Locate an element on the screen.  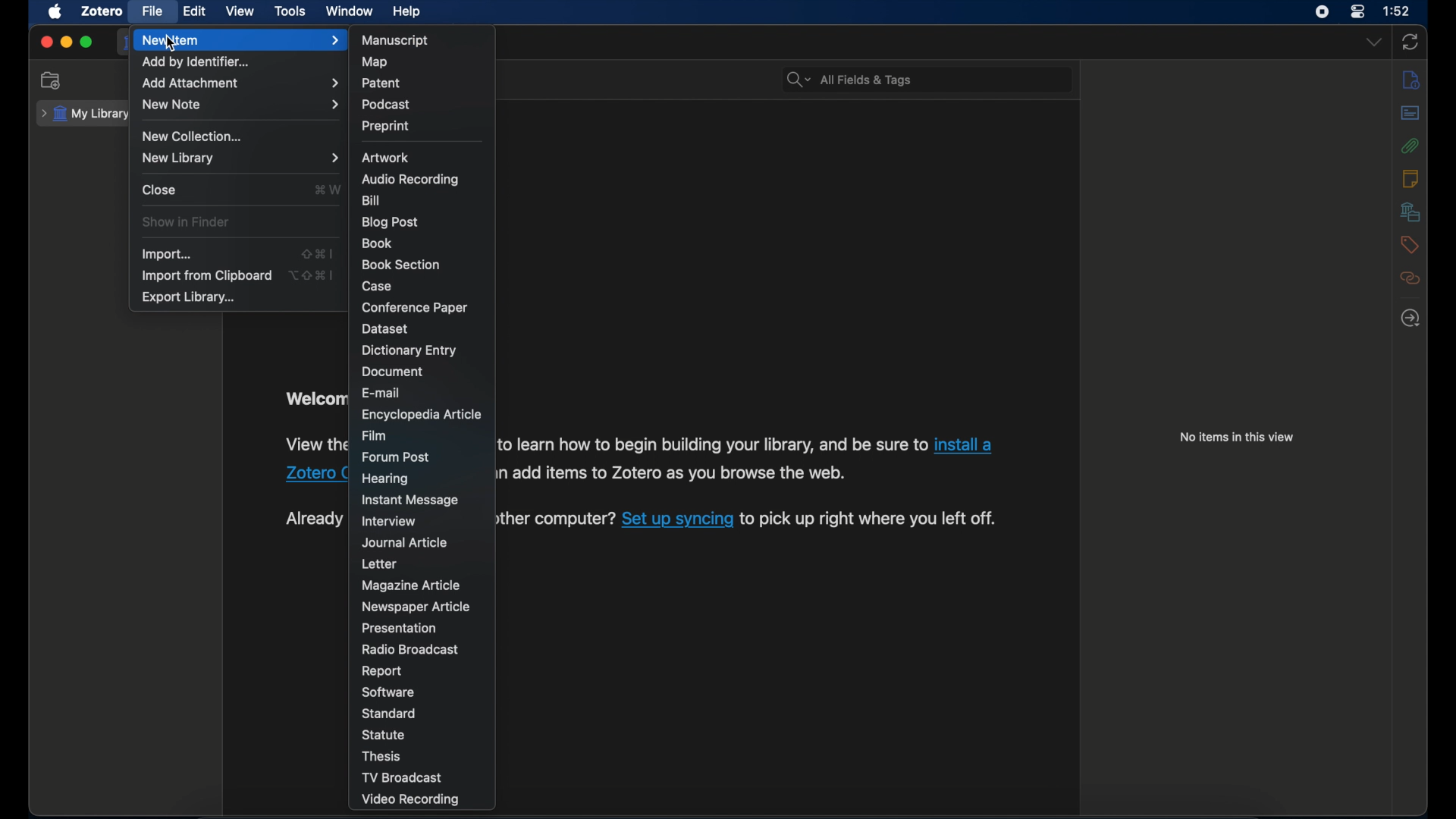
document is located at coordinates (393, 373).